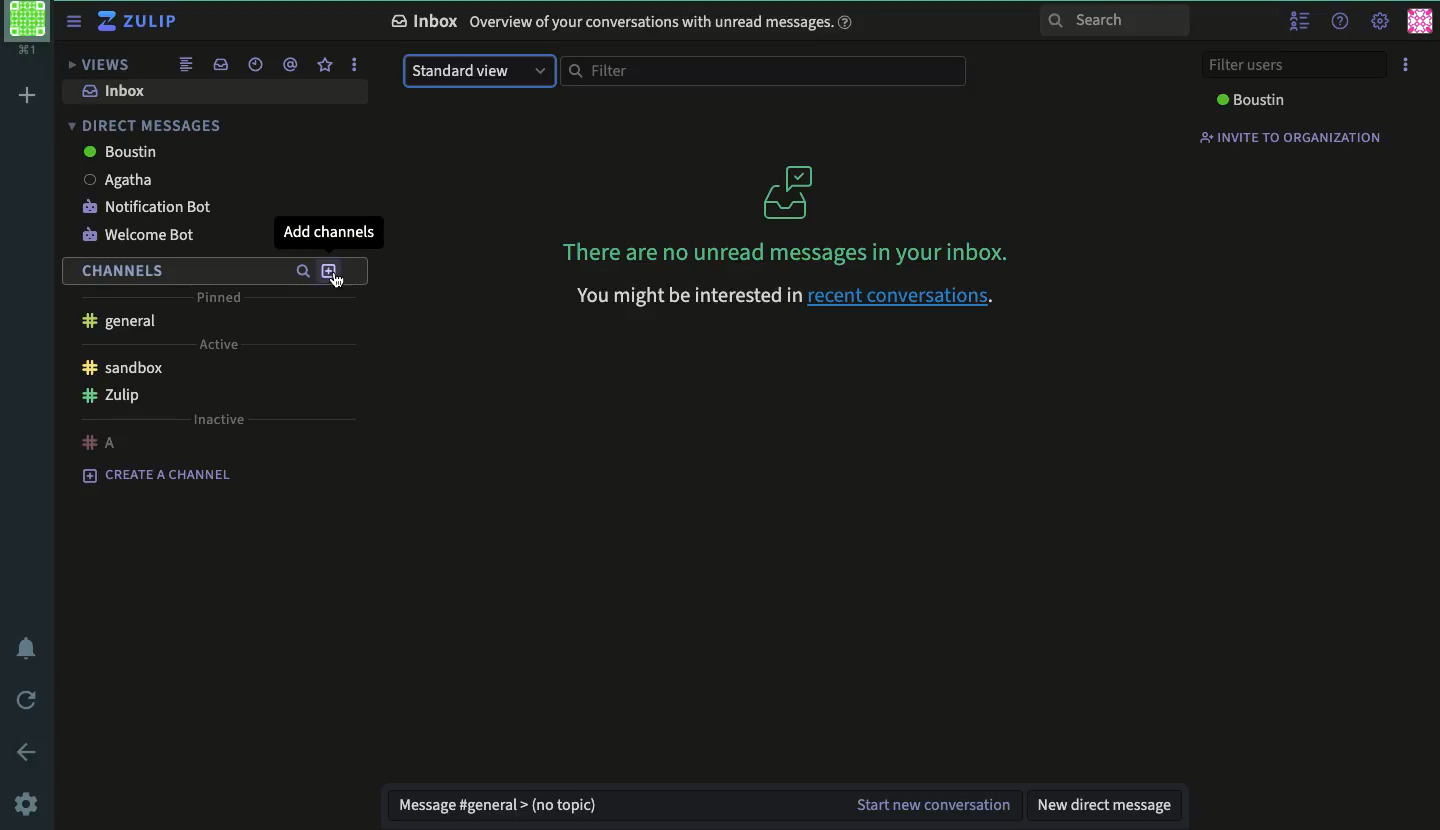 This screenshot has width=1440, height=830. I want to click on search, so click(1116, 20).